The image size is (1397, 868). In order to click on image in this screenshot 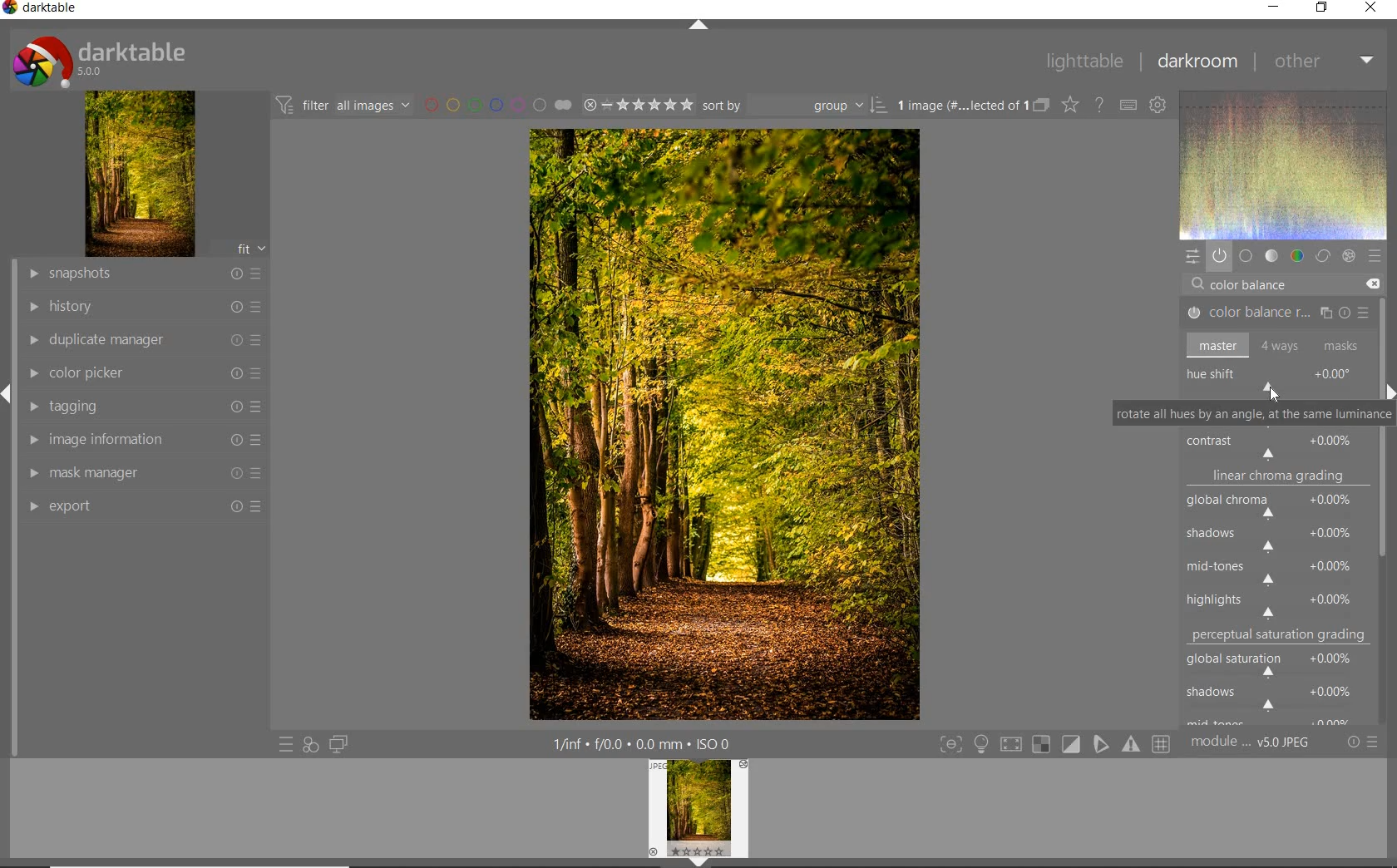, I will do `click(141, 174)`.